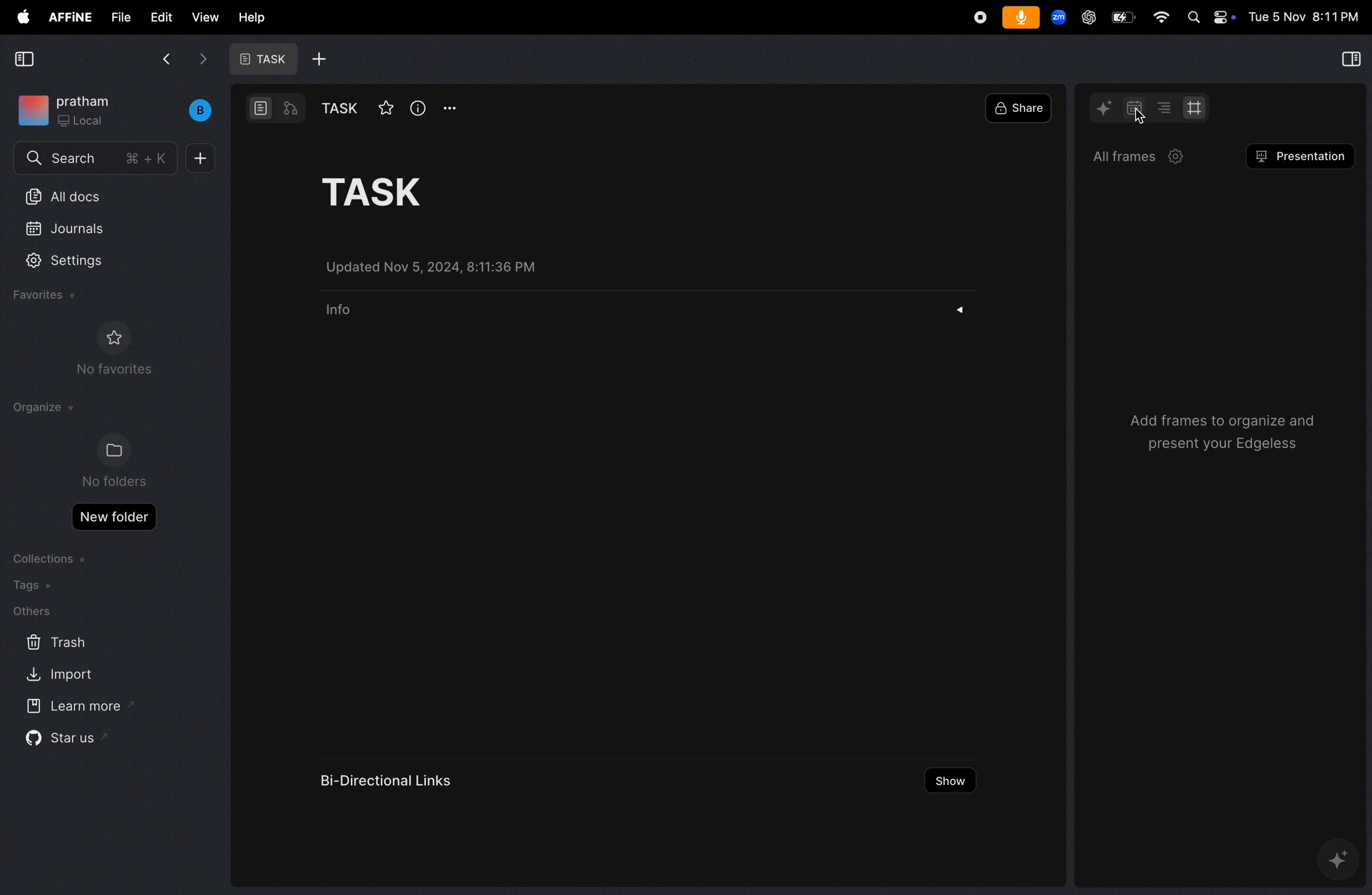 Image resolution: width=1372 pixels, height=895 pixels. I want to click on back, so click(166, 58).